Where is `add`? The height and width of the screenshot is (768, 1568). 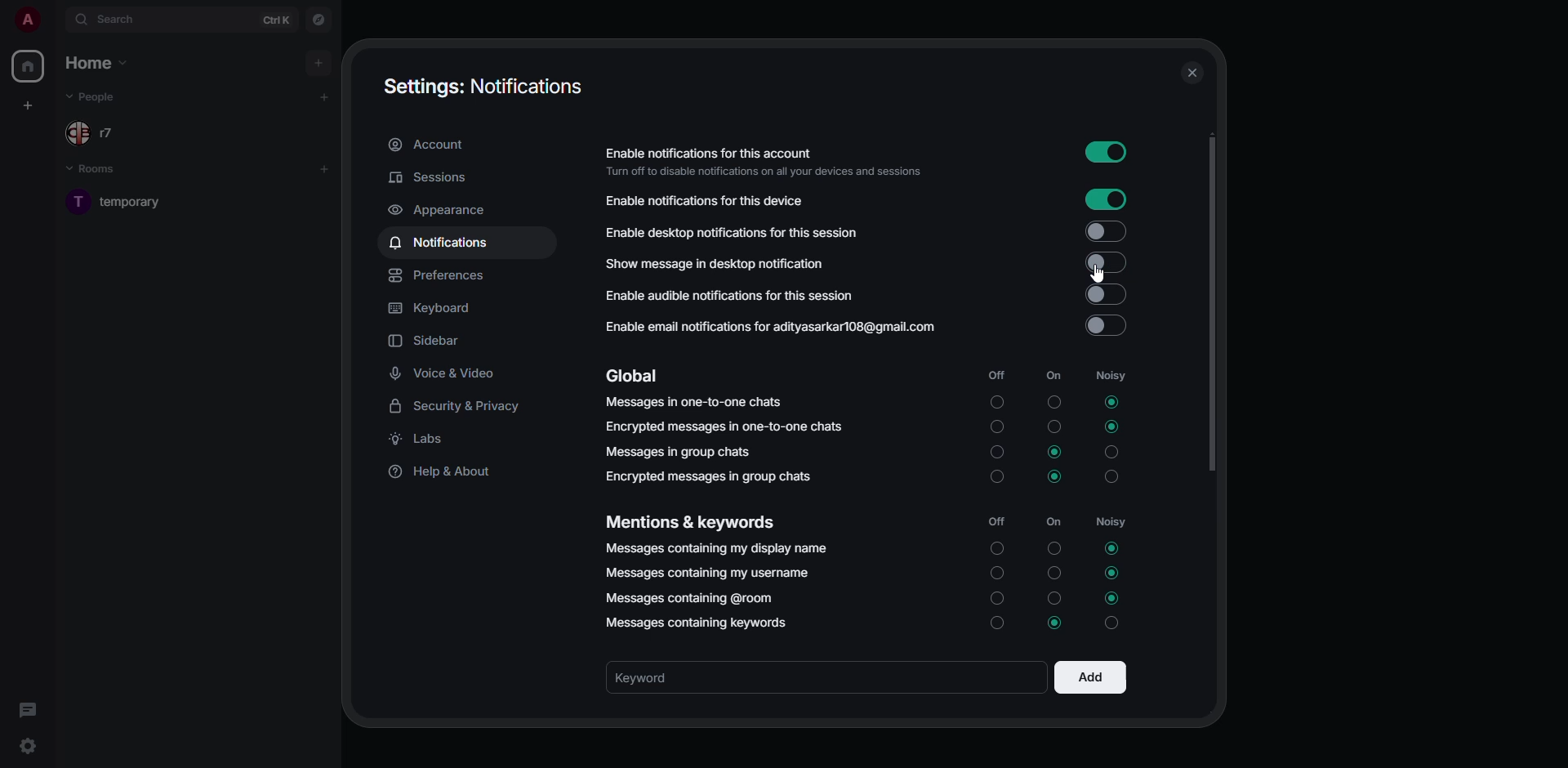 add is located at coordinates (319, 60).